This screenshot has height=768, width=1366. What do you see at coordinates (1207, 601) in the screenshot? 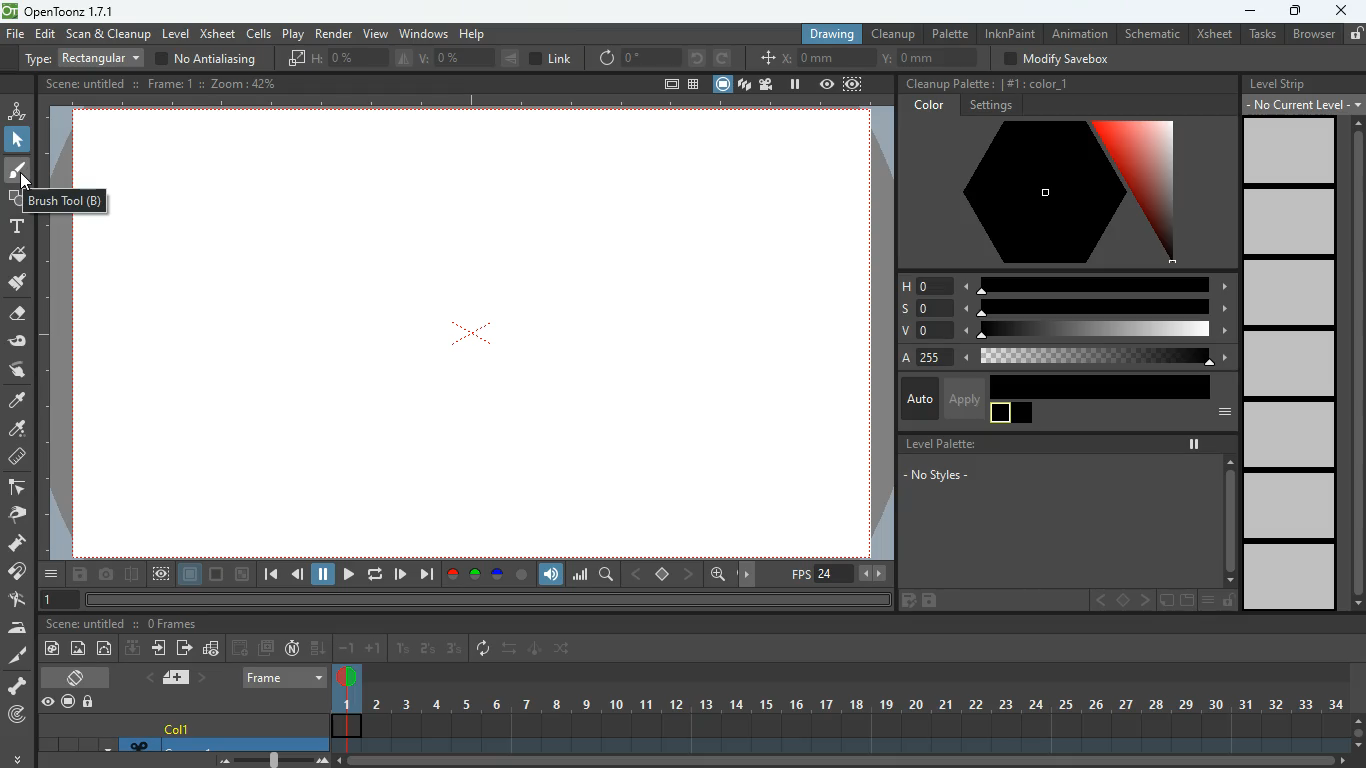
I see `menu` at bounding box center [1207, 601].